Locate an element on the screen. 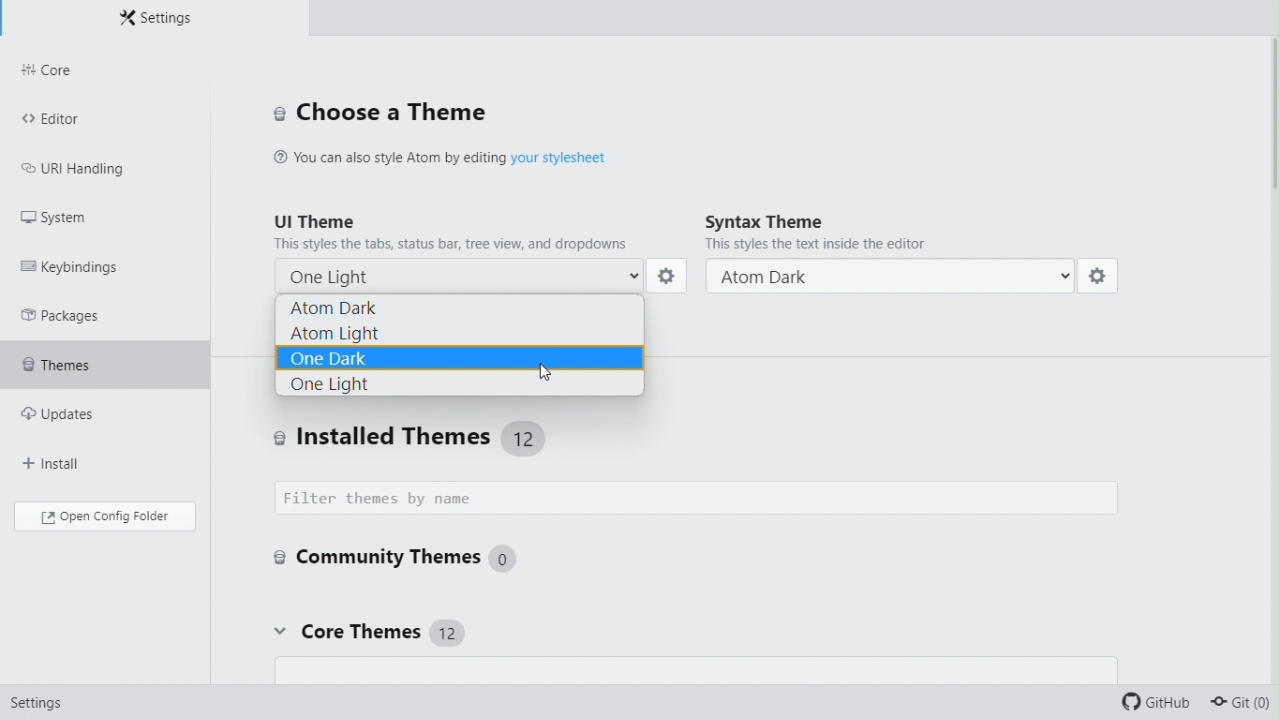 The height and width of the screenshot is (720, 1280). Open config folder is located at coordinates (107, 519).